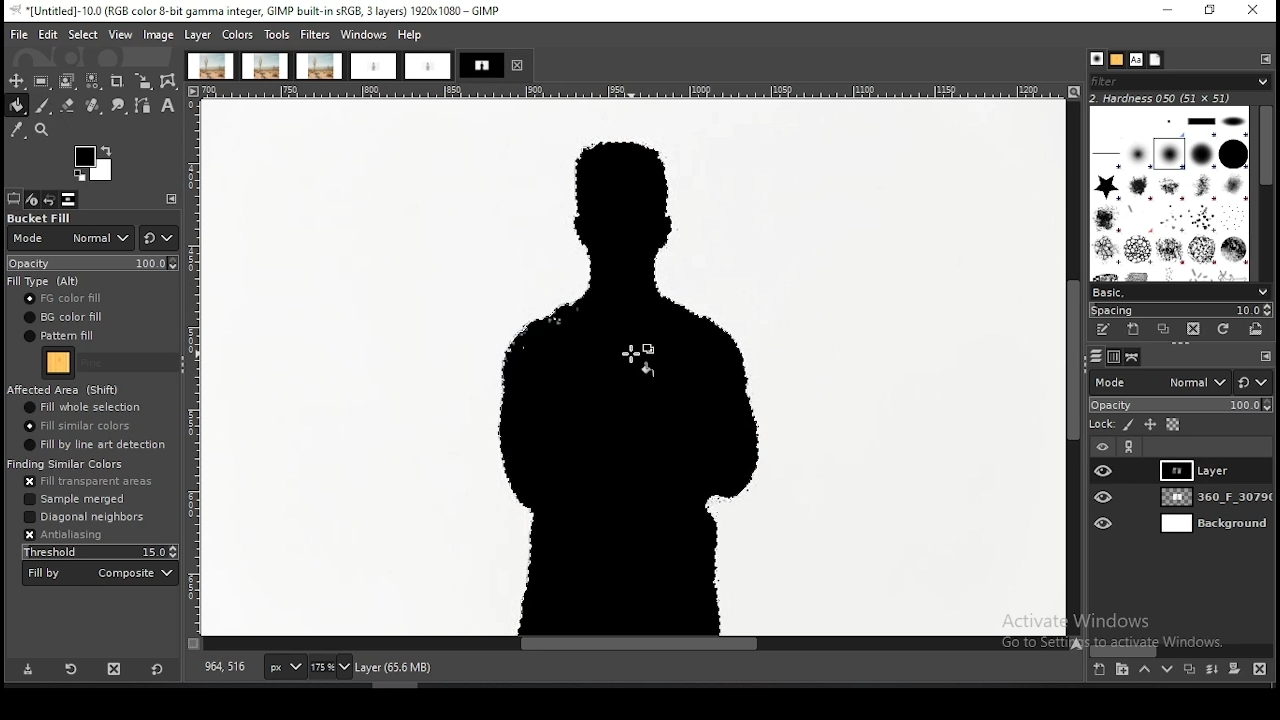 This screenshot has height=720, width=1280. Describe the element at coordinates (1164, 669) in the screenshot. I see `move layer one step down` at that location.